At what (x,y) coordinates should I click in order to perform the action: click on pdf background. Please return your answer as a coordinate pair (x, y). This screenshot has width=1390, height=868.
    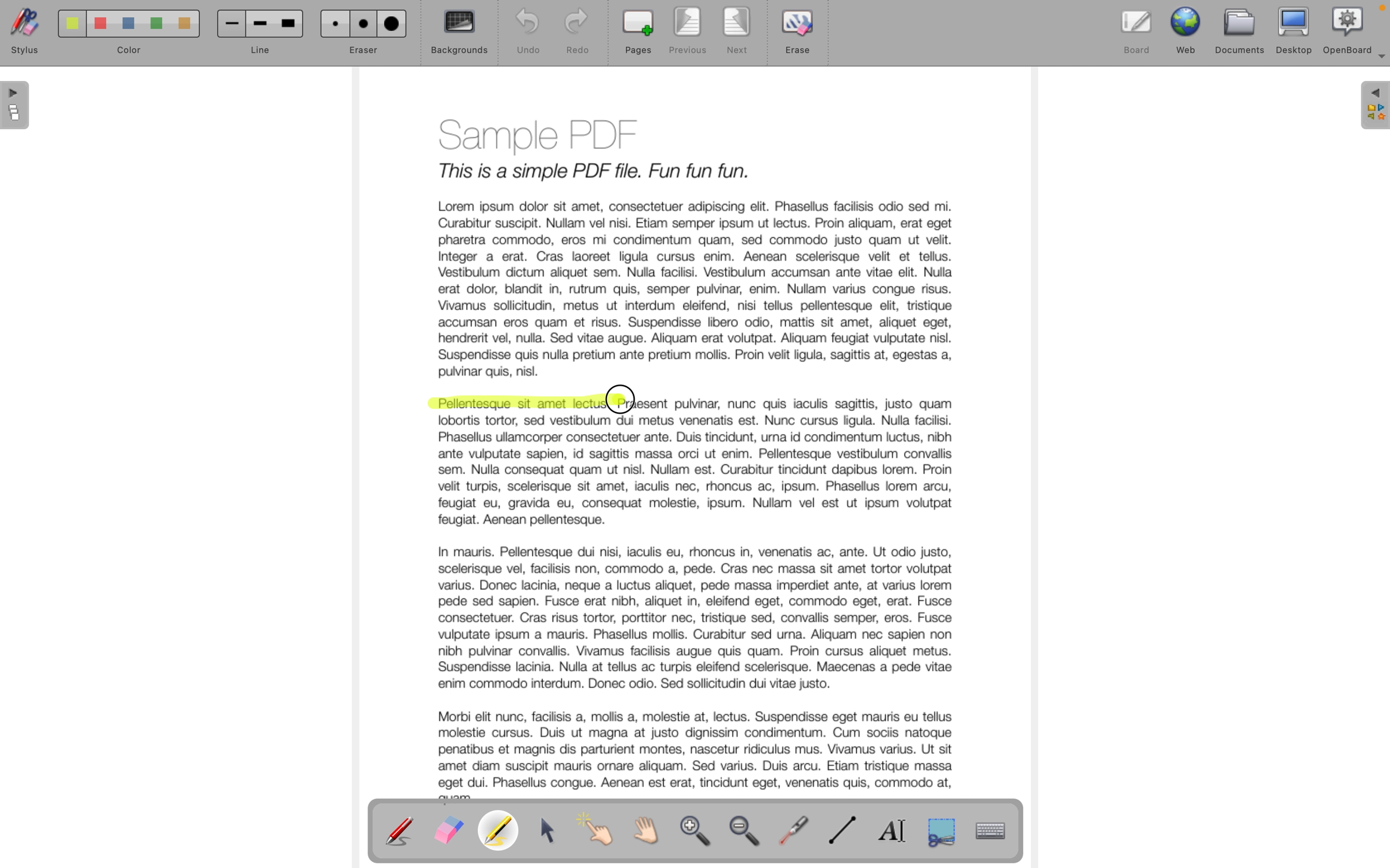
    Looking at the image, I should click on (693, 244).